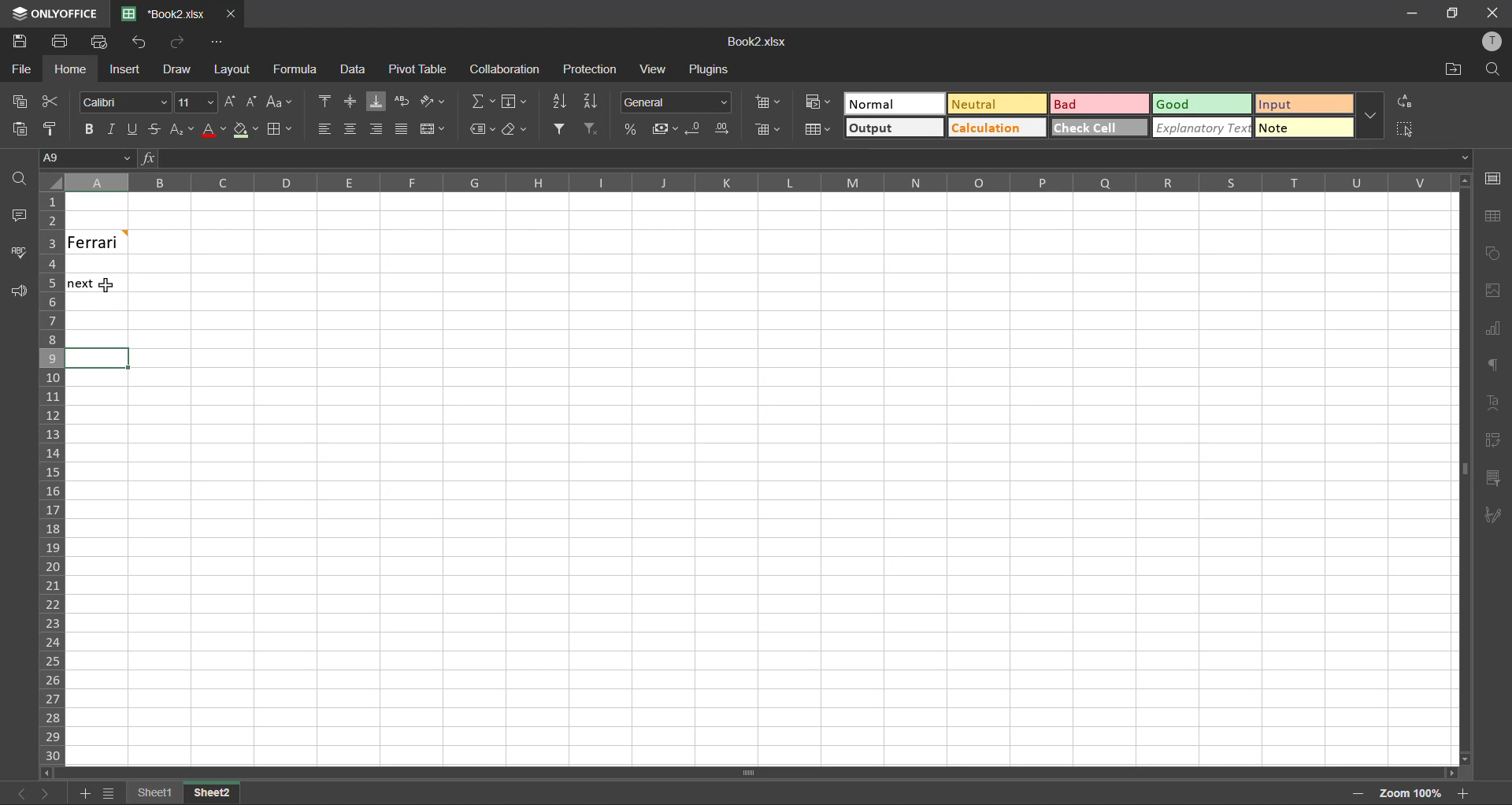  I want to click on bold, so click(87, 129).